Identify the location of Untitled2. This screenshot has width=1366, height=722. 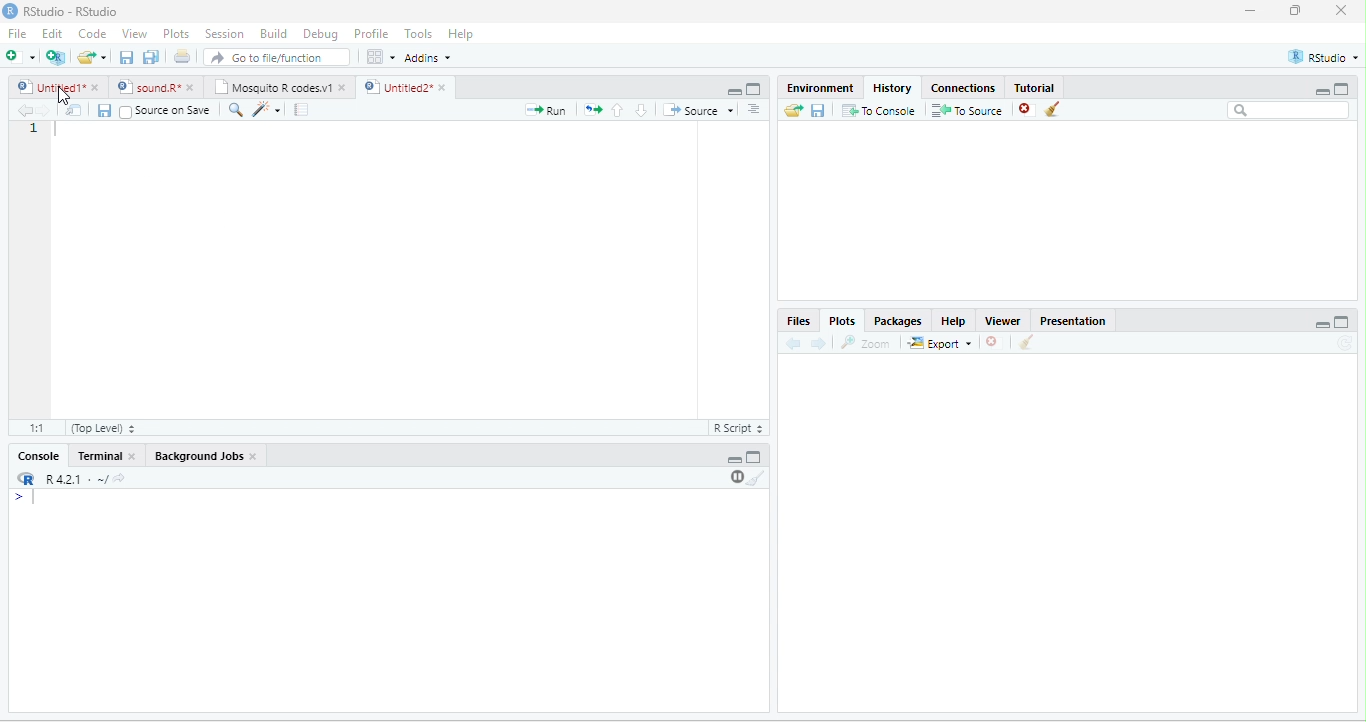
(396, 87).